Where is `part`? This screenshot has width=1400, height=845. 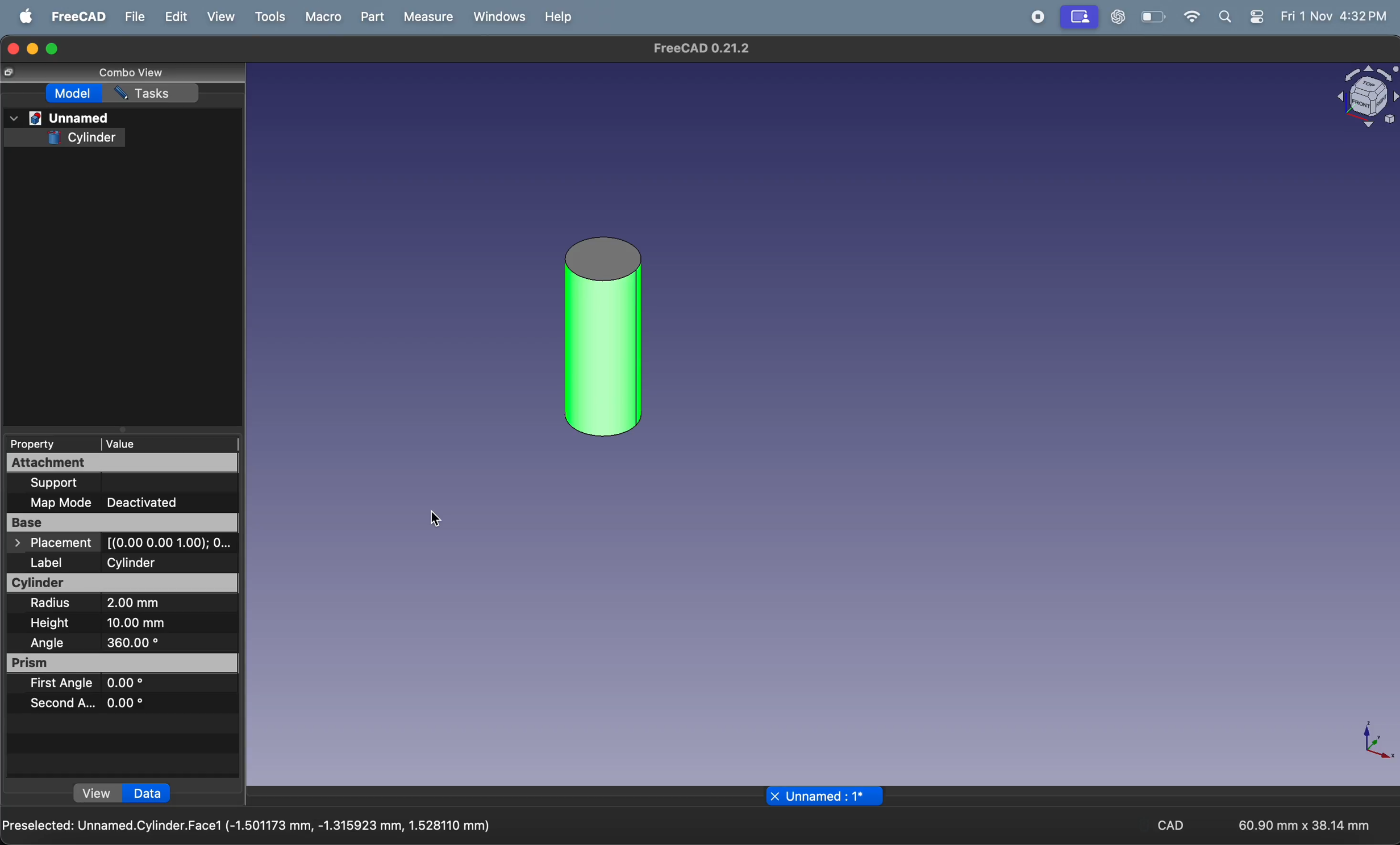 part is located at coordinates (370, 16).